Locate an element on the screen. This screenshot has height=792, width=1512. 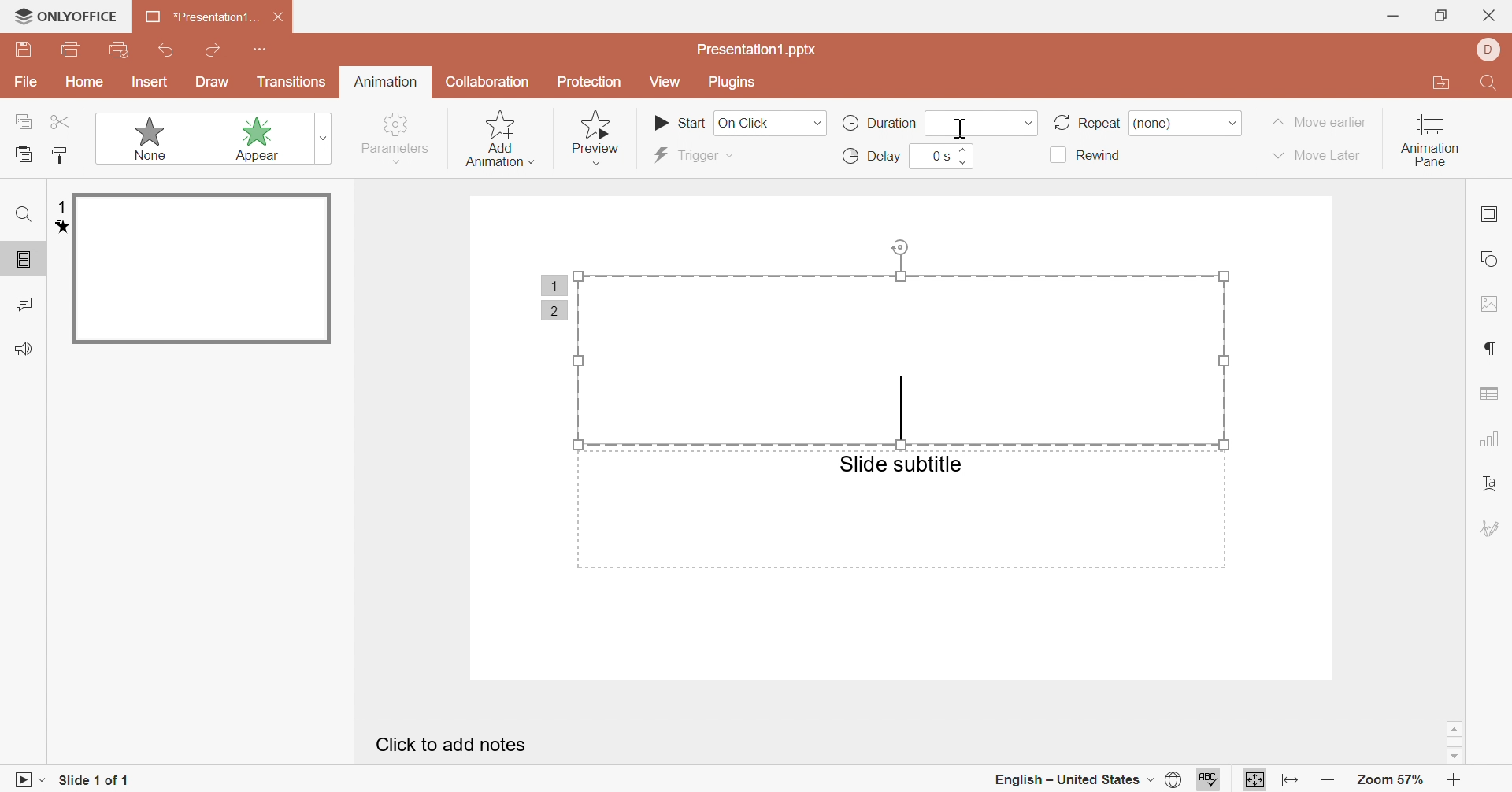
more animations is located at coordinates (320, 137).